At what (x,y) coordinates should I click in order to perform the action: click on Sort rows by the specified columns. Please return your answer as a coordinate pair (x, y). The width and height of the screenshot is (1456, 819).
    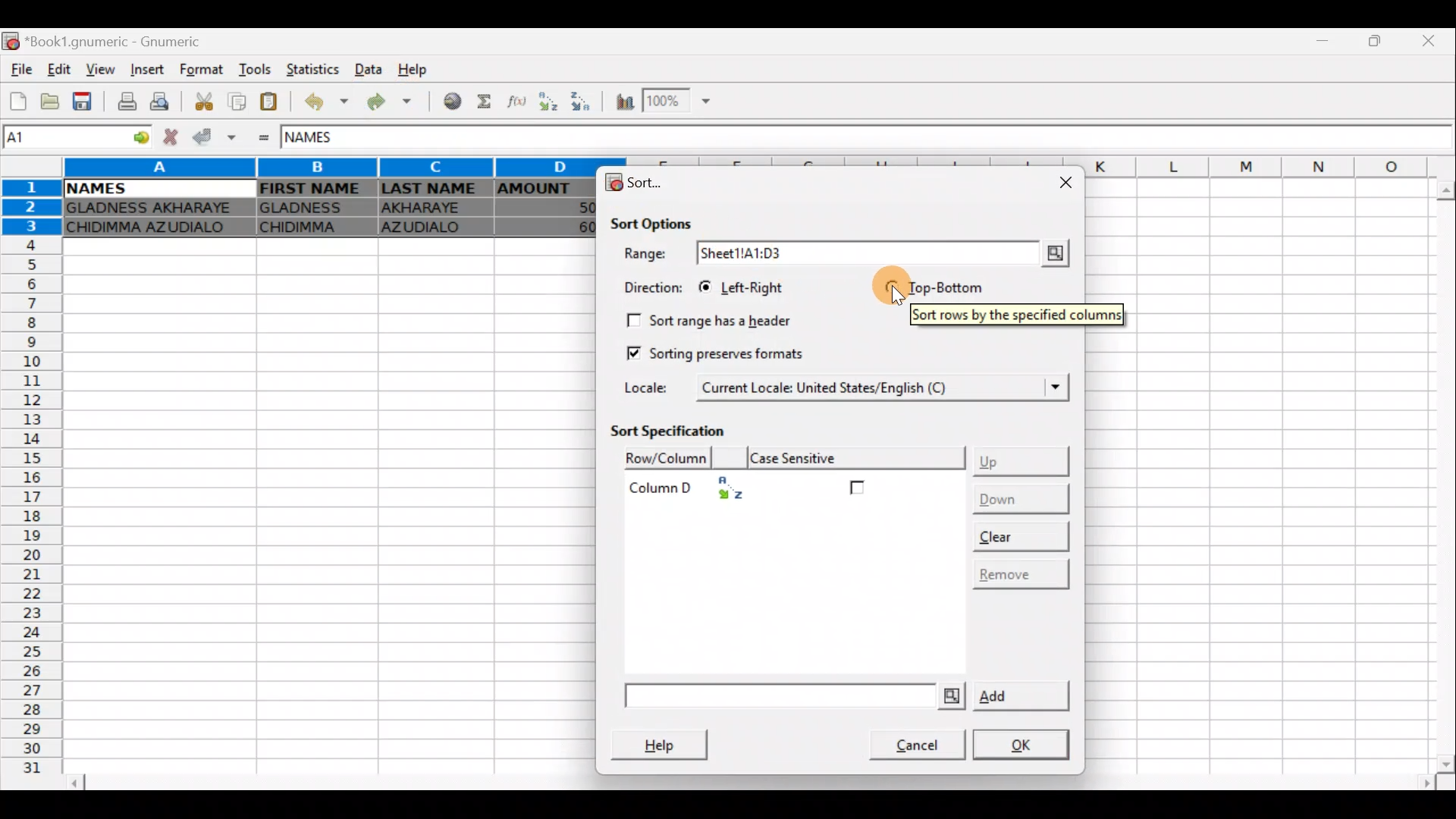
    Looking at the image, I should click on (1018, 315).